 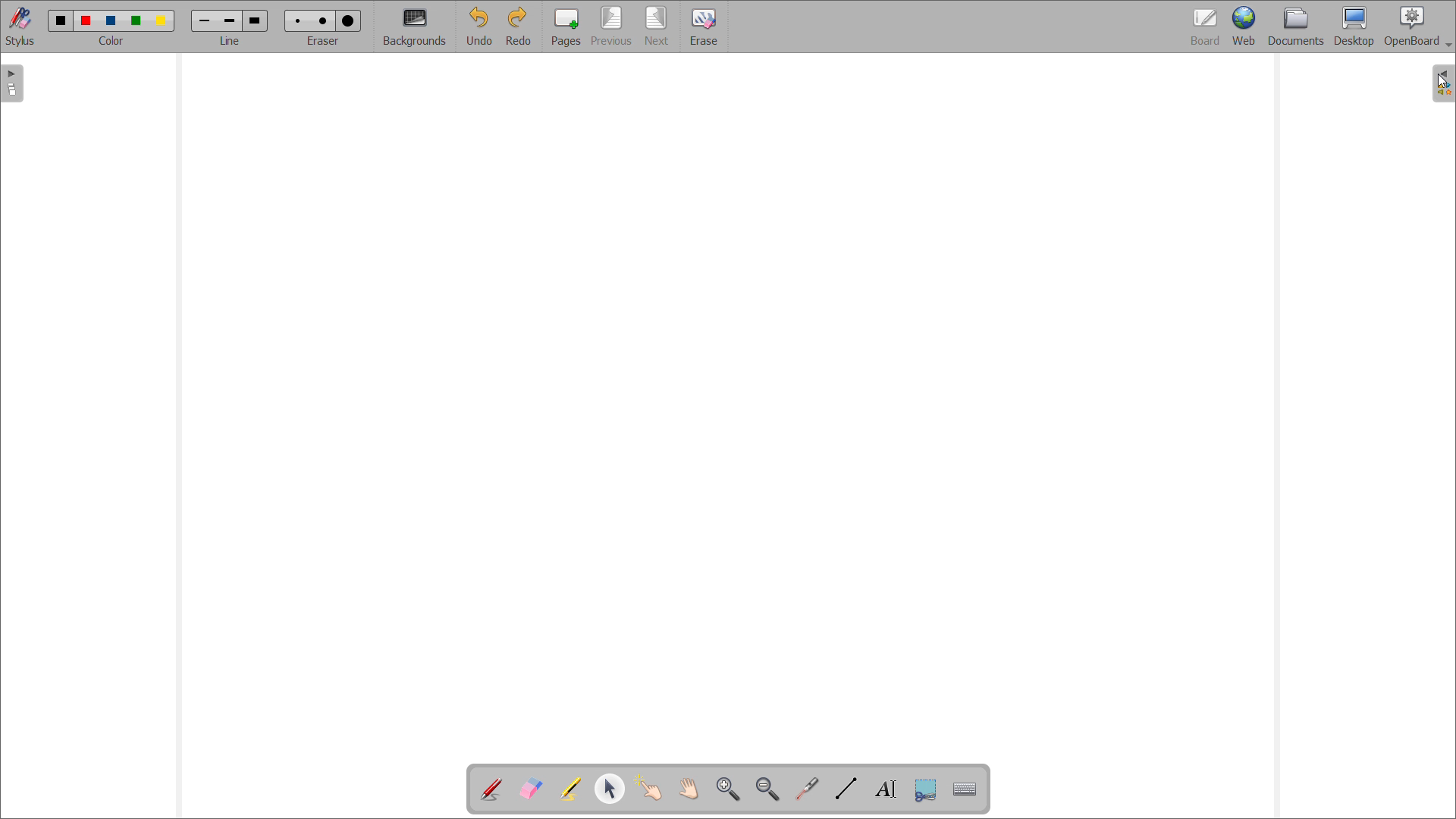 What do you see at coordinates (1296, 27) in the screenshot?
I see `documents` at bounding box center [1296, 27].